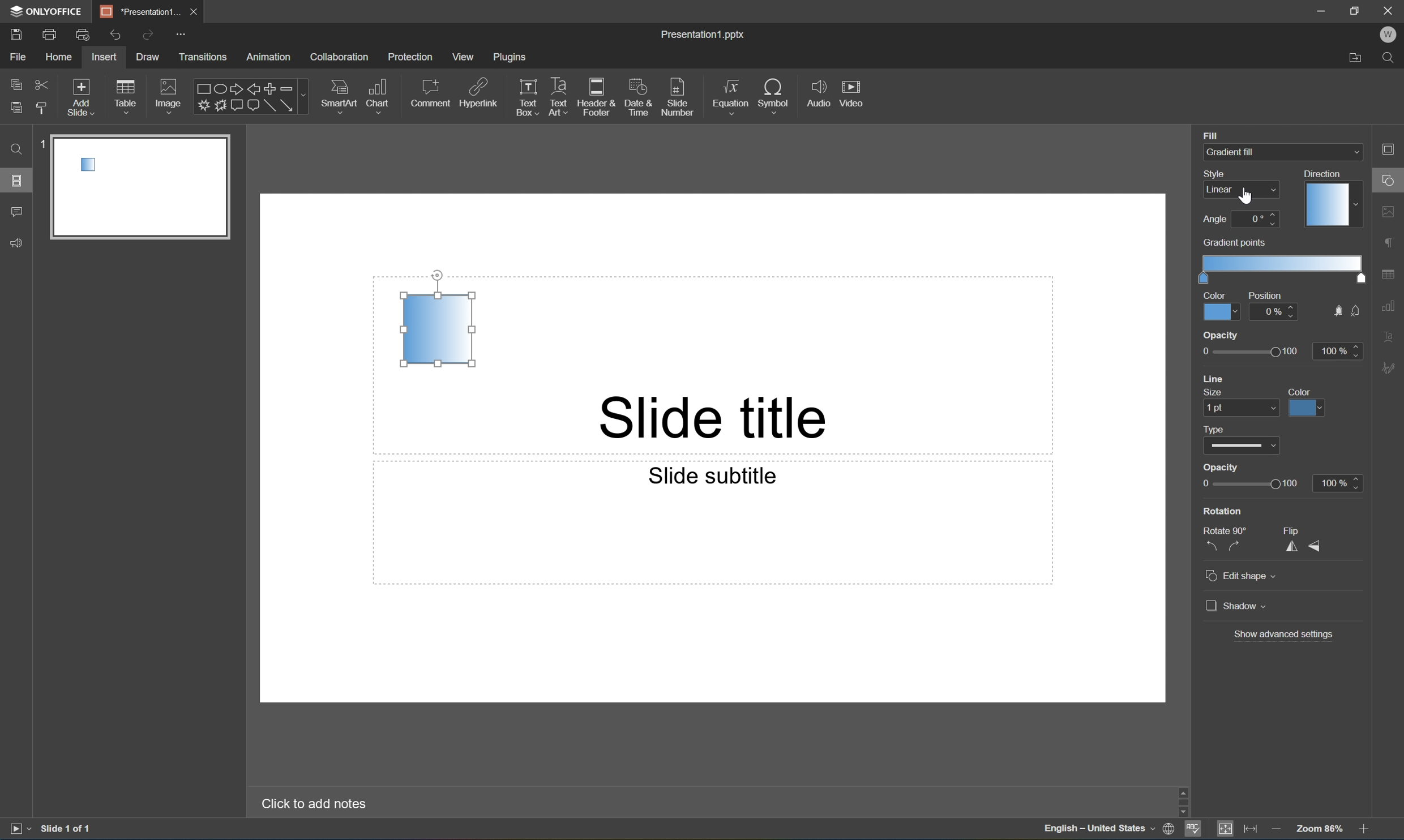 The image size is (1404, 840). What do you see at coordinates (293, 88) in the screenshot?
I see `Minus` at bounding box center [293, 88].